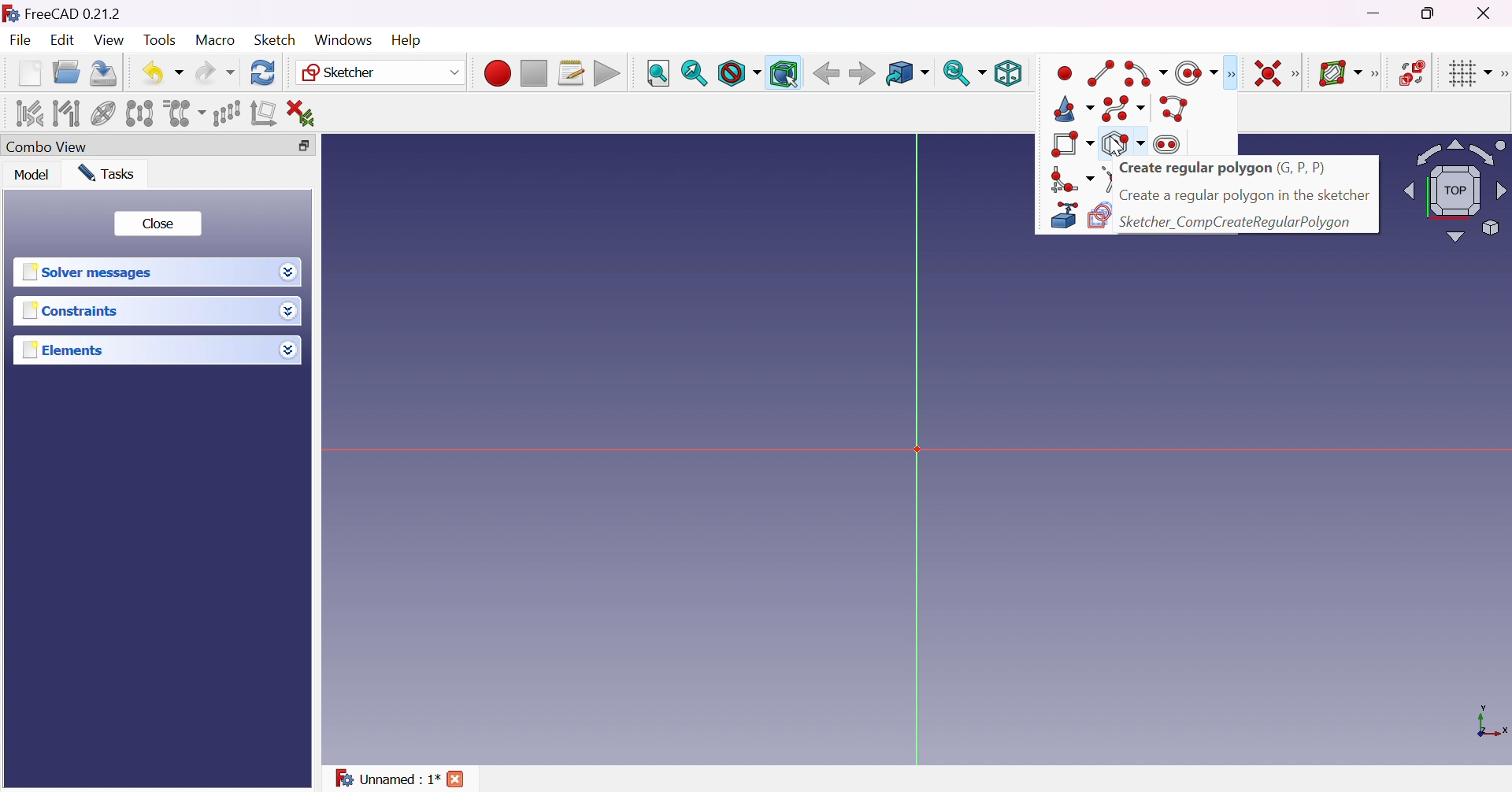 The width and height of the screenshot is (1512, 792). What do you see at coordinates (607, 75) in the screenshot?
I see `Execute macro` at bounding box center [607, 75].